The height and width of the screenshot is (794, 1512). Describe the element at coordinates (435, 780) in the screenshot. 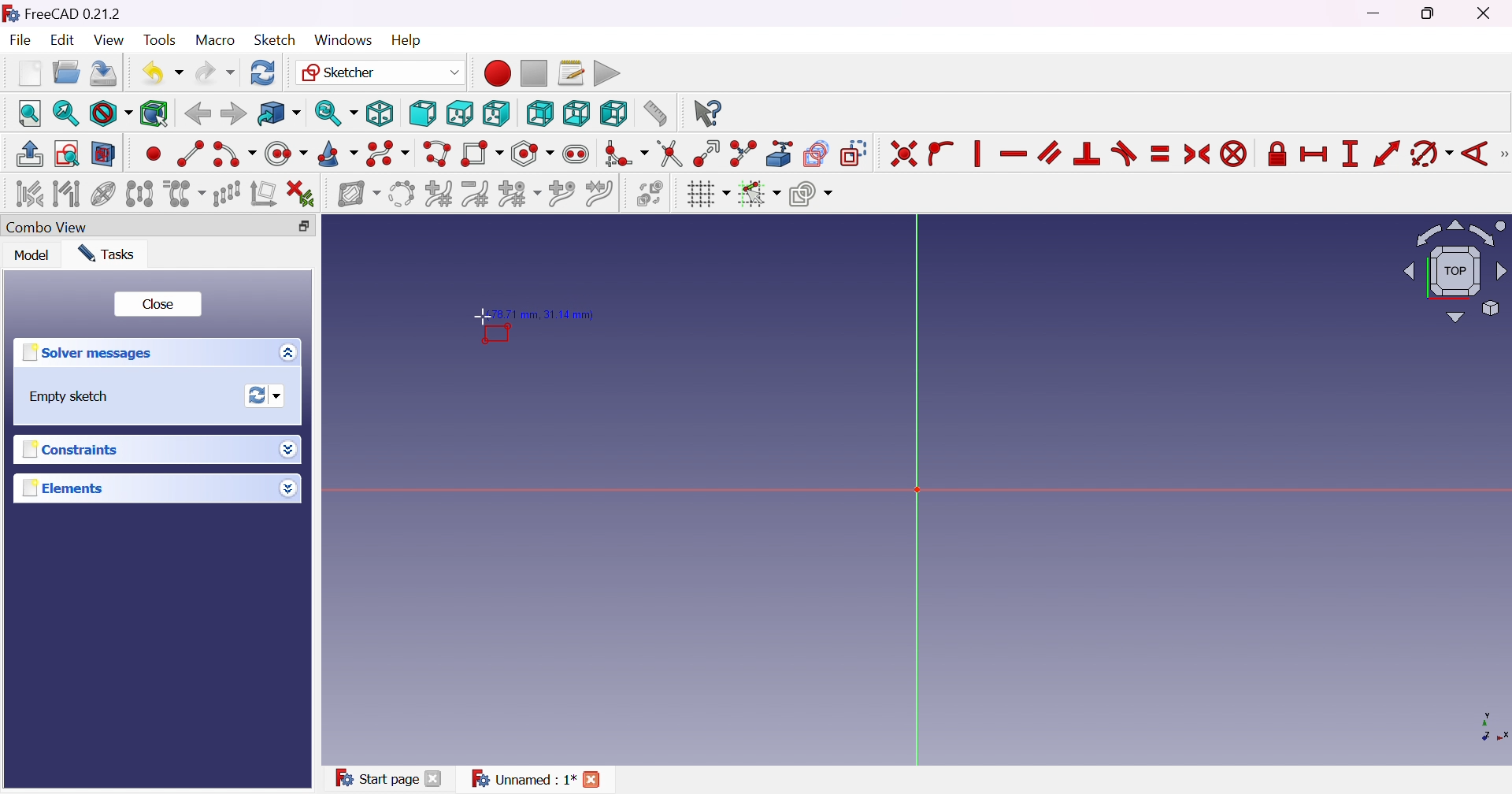

I see `Close` at that location.